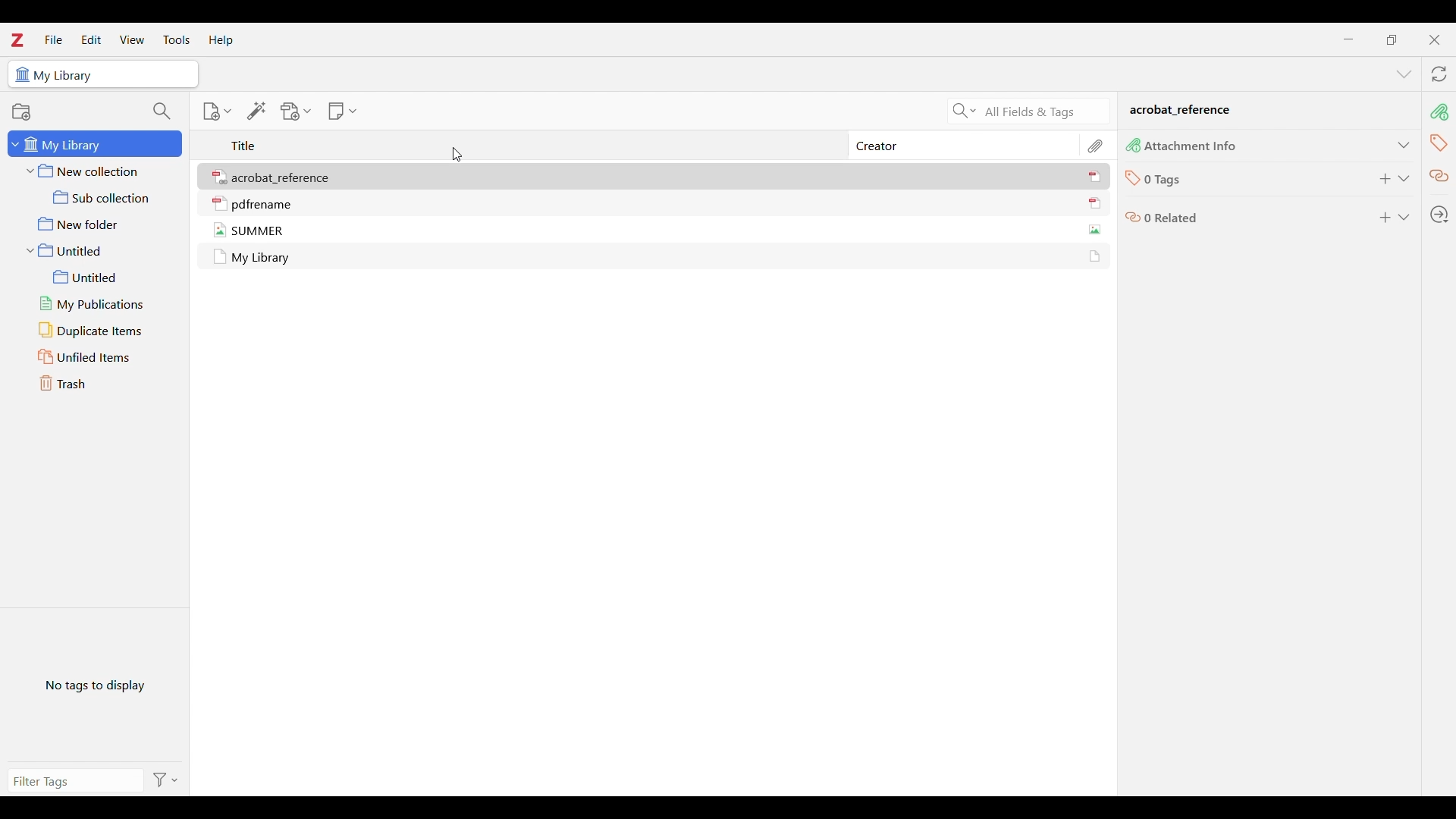 The height and width of the screenshot is (819, 1456). I want to click on icon, so click(220, 230).